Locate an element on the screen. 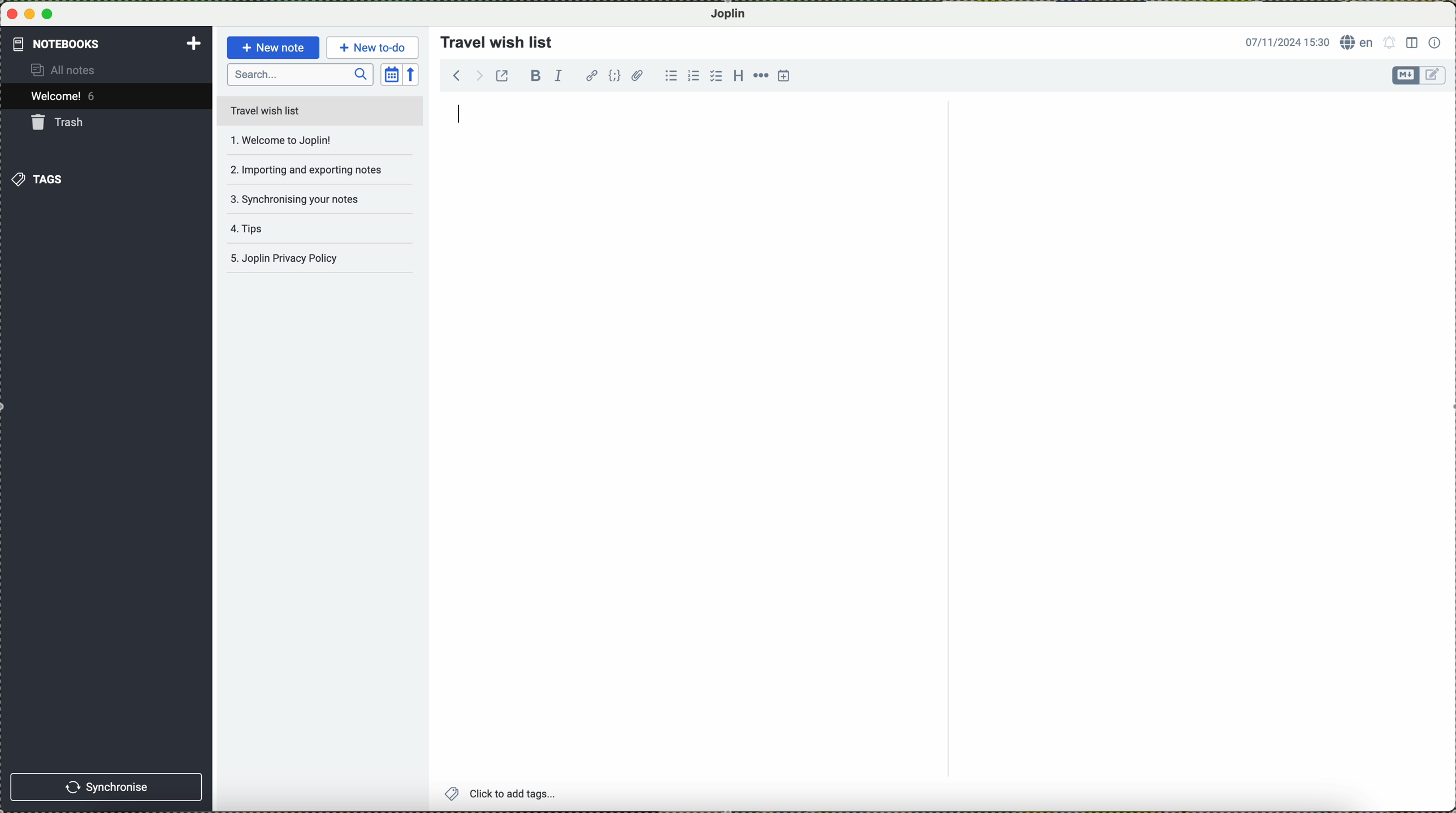 Image resolution: width=1456 pixels, height=813 pixels. hyperlink is located at coordinates (591, 75).